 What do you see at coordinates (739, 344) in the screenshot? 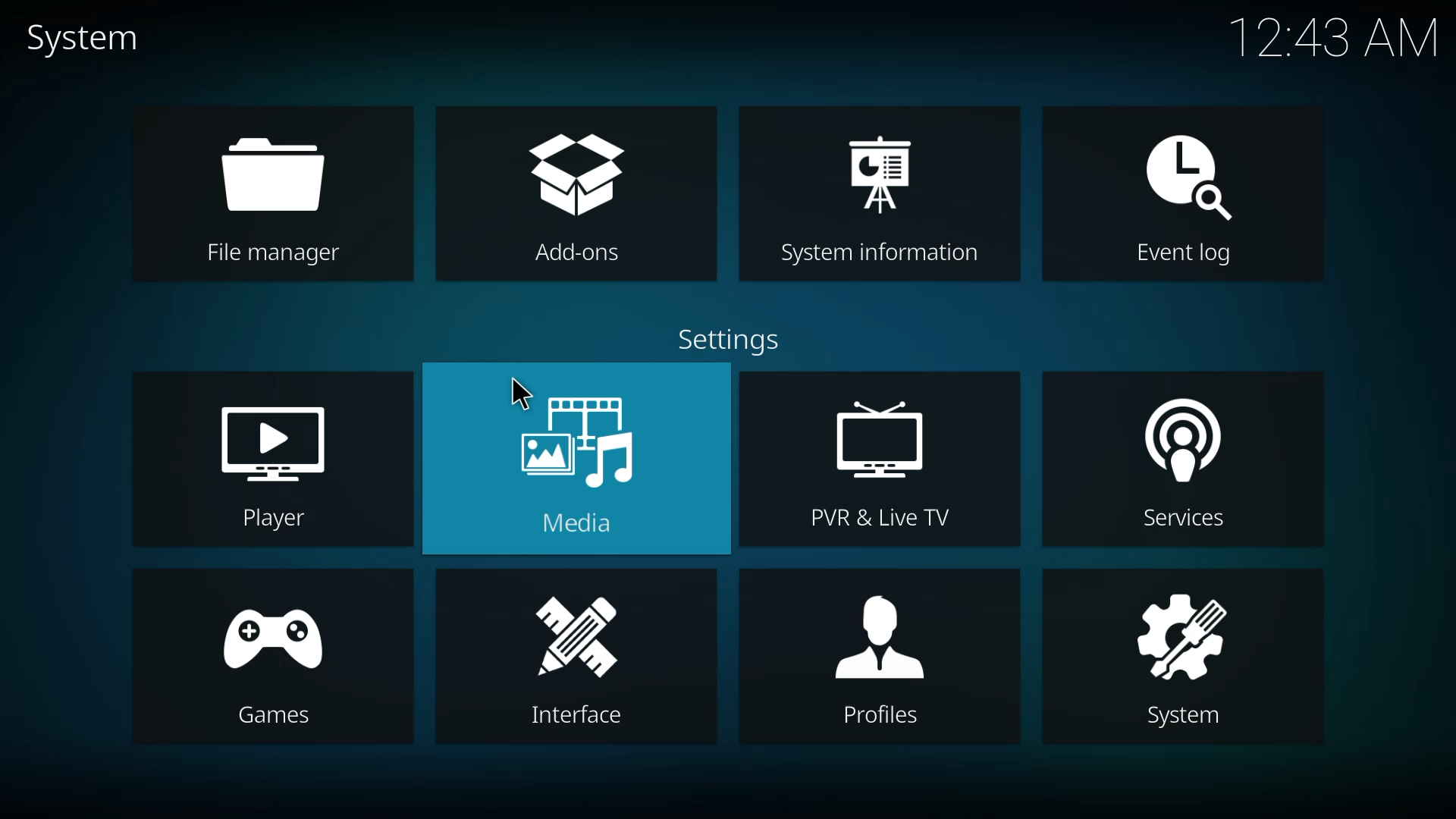
I see `settings` at bounding box center [739, 344].